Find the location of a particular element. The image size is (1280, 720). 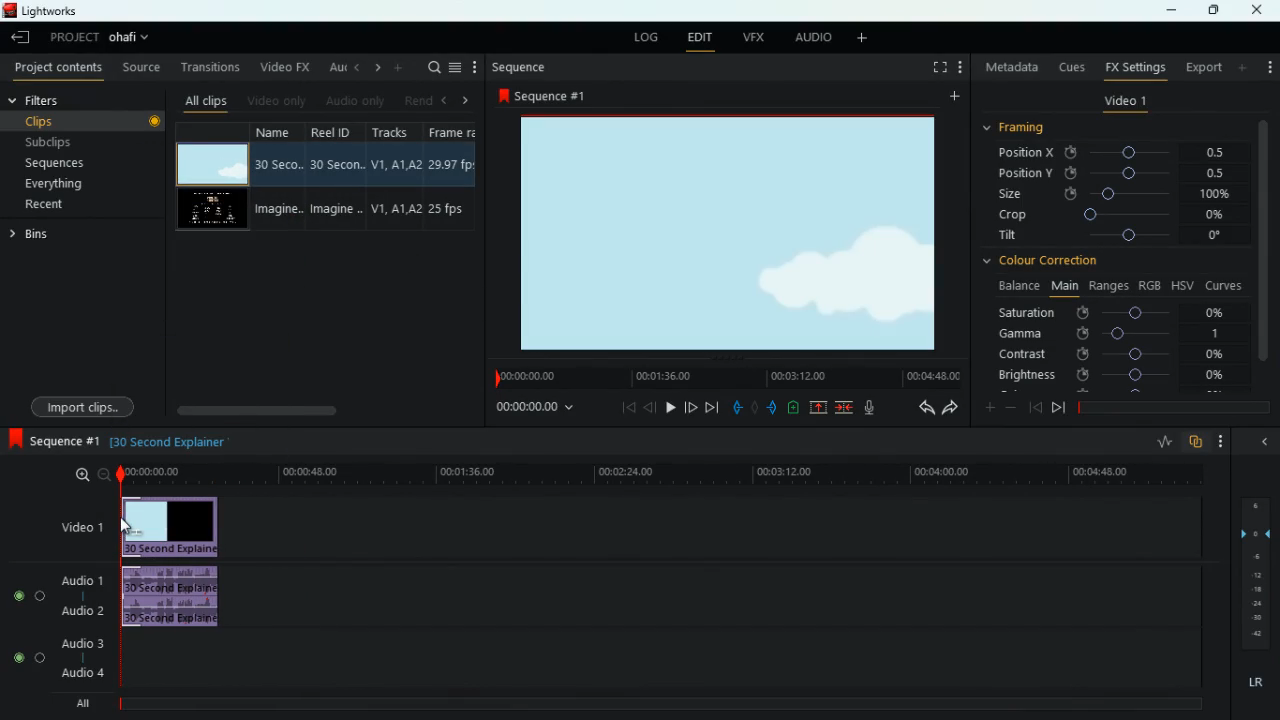

import clips is located at coordinates (82, 407).